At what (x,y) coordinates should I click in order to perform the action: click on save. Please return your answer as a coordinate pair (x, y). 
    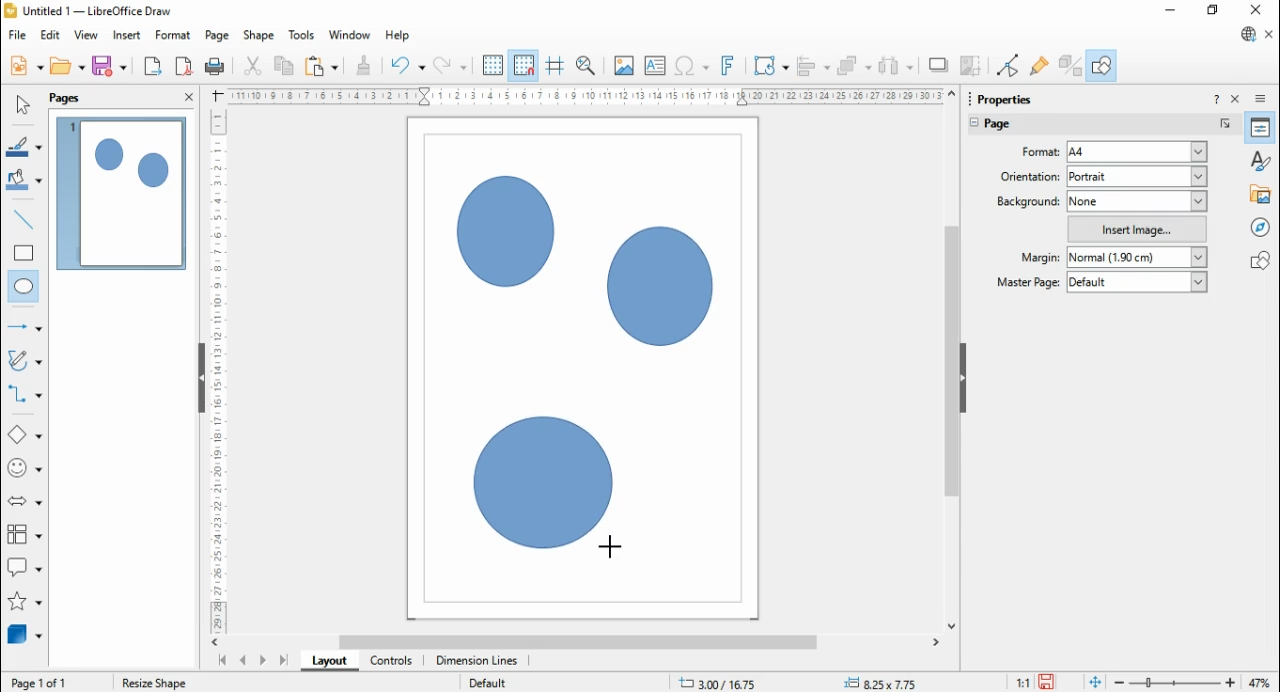
    Looking at the image, I should click on (1049, 682).